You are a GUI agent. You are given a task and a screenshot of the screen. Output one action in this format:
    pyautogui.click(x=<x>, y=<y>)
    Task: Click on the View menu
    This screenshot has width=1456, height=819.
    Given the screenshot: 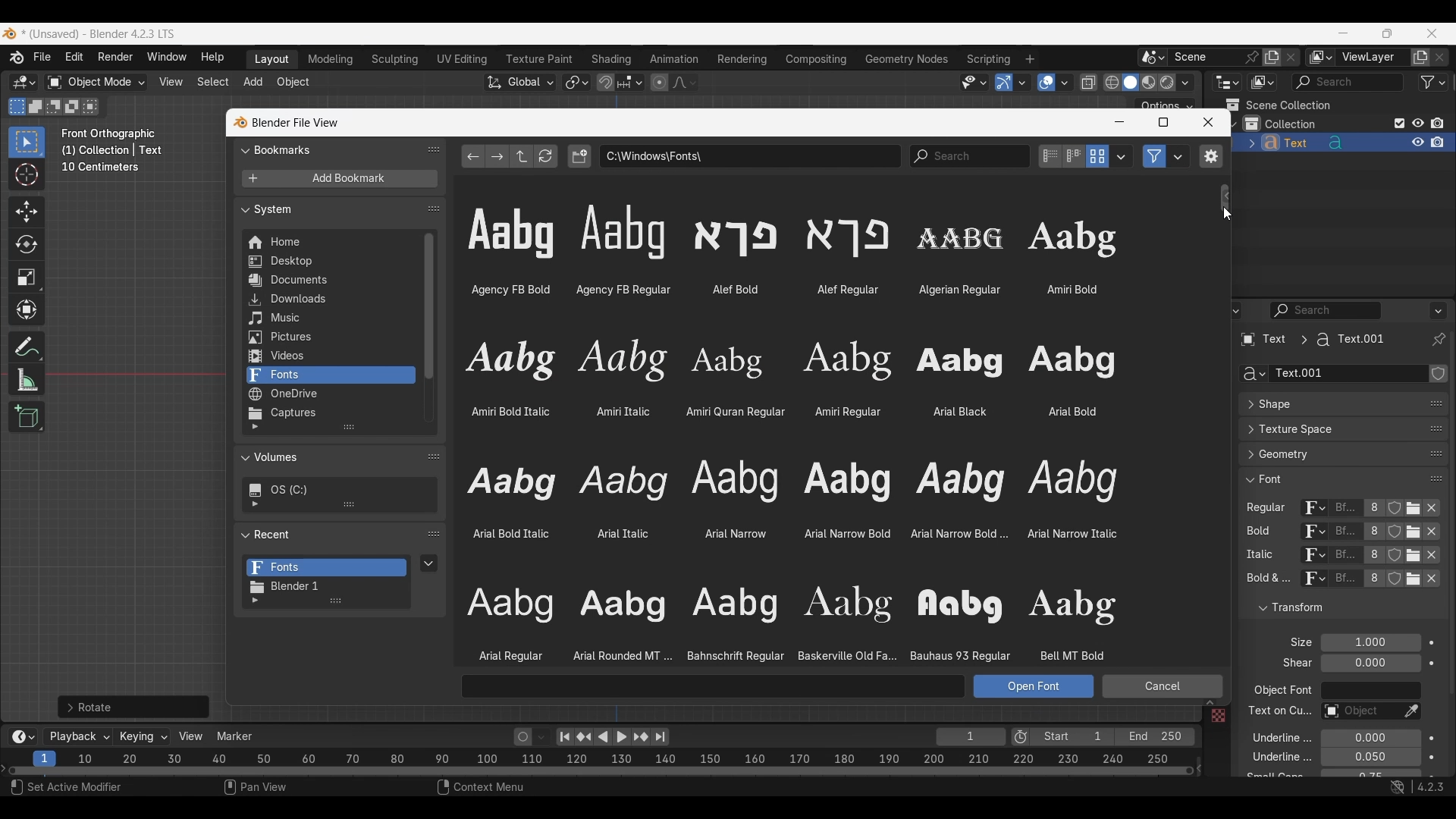 What is the action you would take?
    pyautogui.click(x=170, y=82)
    